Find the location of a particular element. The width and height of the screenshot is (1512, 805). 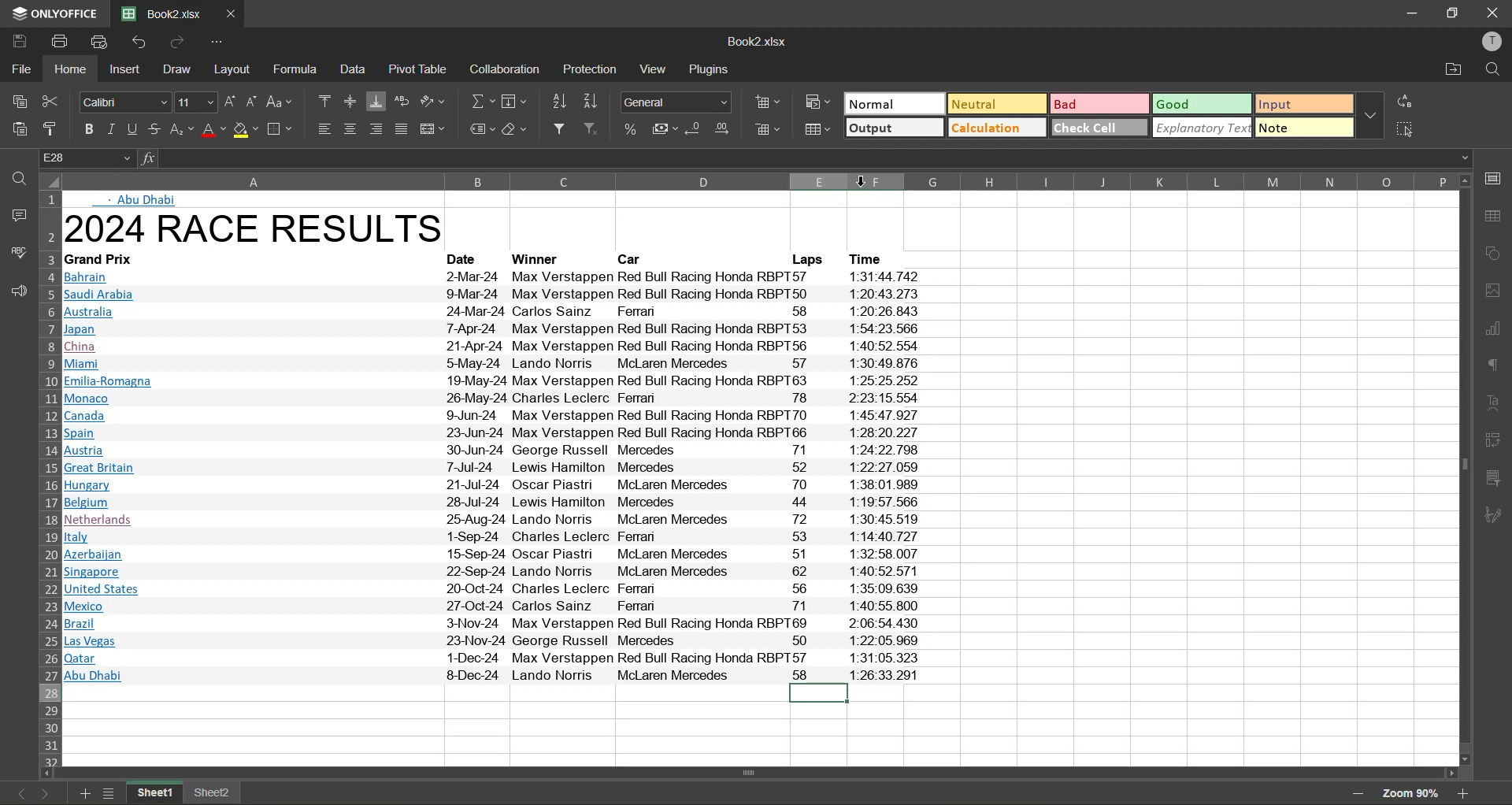

align right is located at coordinates (378, 128).